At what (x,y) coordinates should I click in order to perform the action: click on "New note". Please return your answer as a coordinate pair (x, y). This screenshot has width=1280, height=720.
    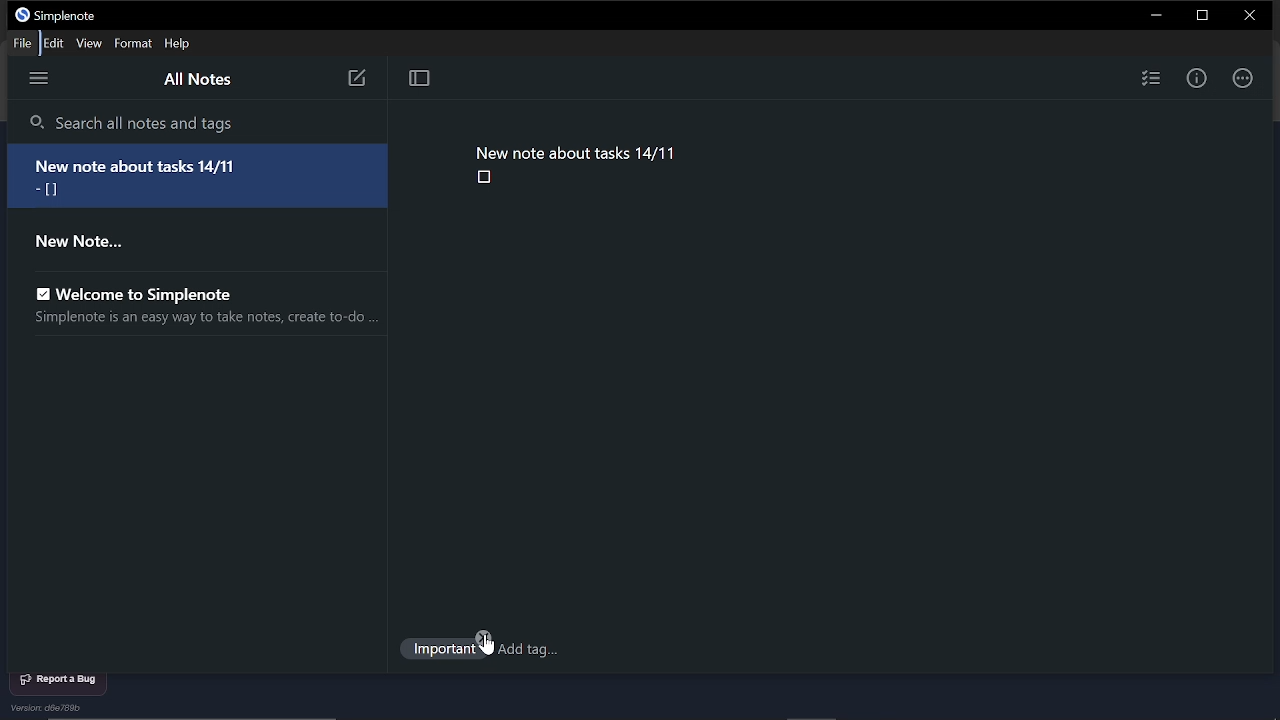
    Looking at the image, I should click on (185, 239).